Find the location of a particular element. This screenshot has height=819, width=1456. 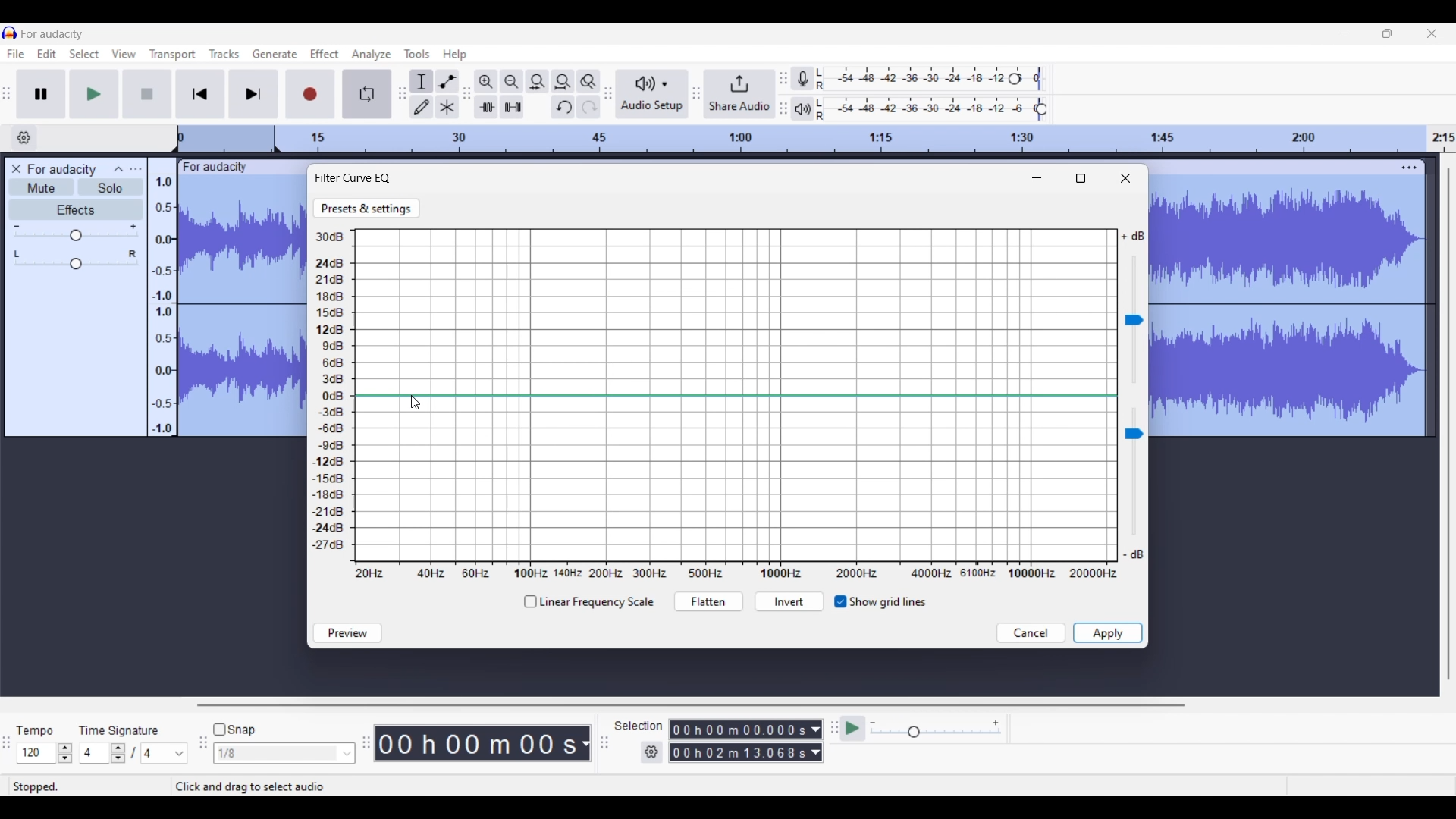

Fit project to width is located at coordinates (563, 82).